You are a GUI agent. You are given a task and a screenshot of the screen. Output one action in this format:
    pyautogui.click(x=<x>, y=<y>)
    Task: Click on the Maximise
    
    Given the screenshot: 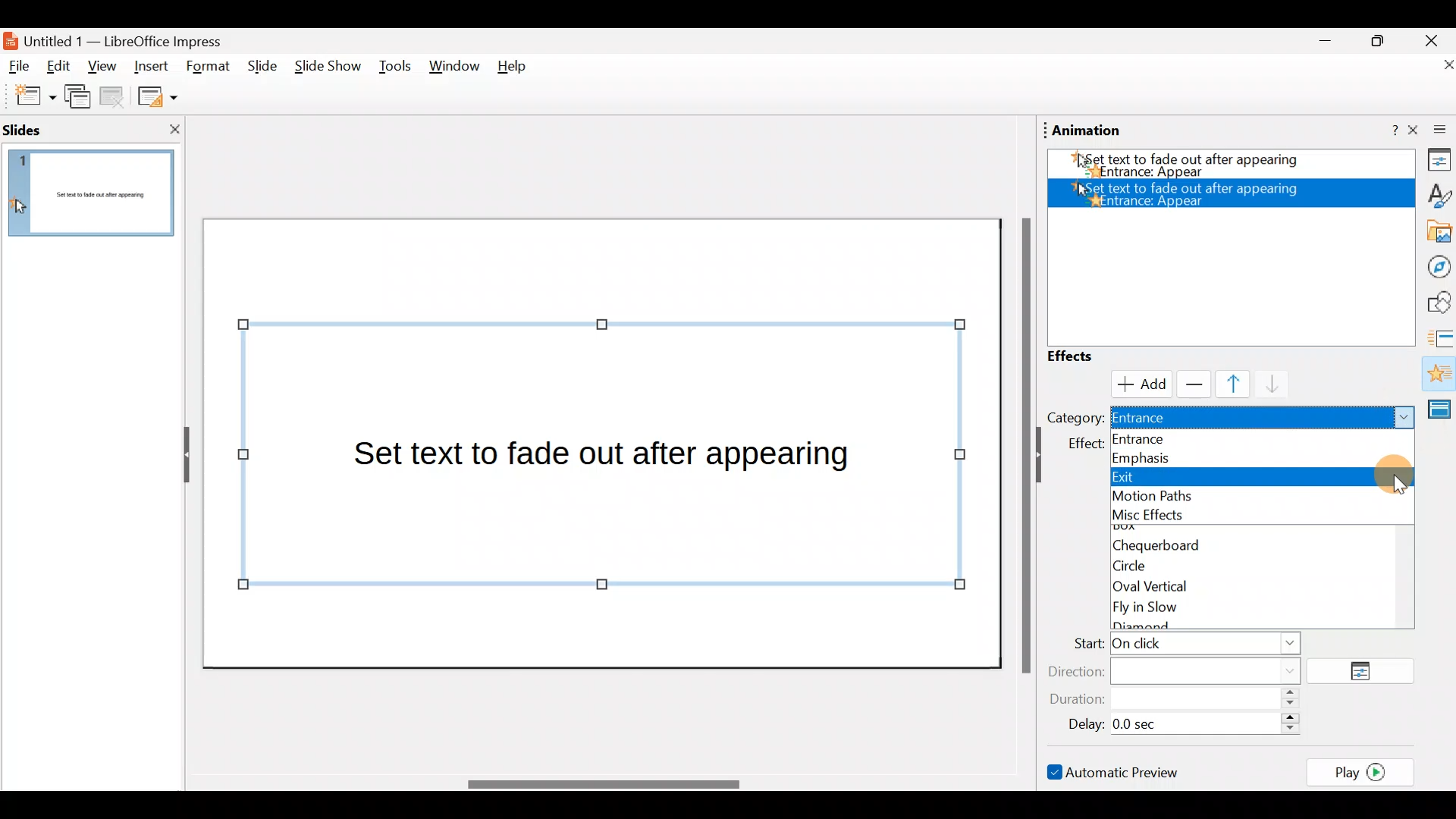 What is the action you would take?
    pyautogui.click(x=1383, y=41)
    